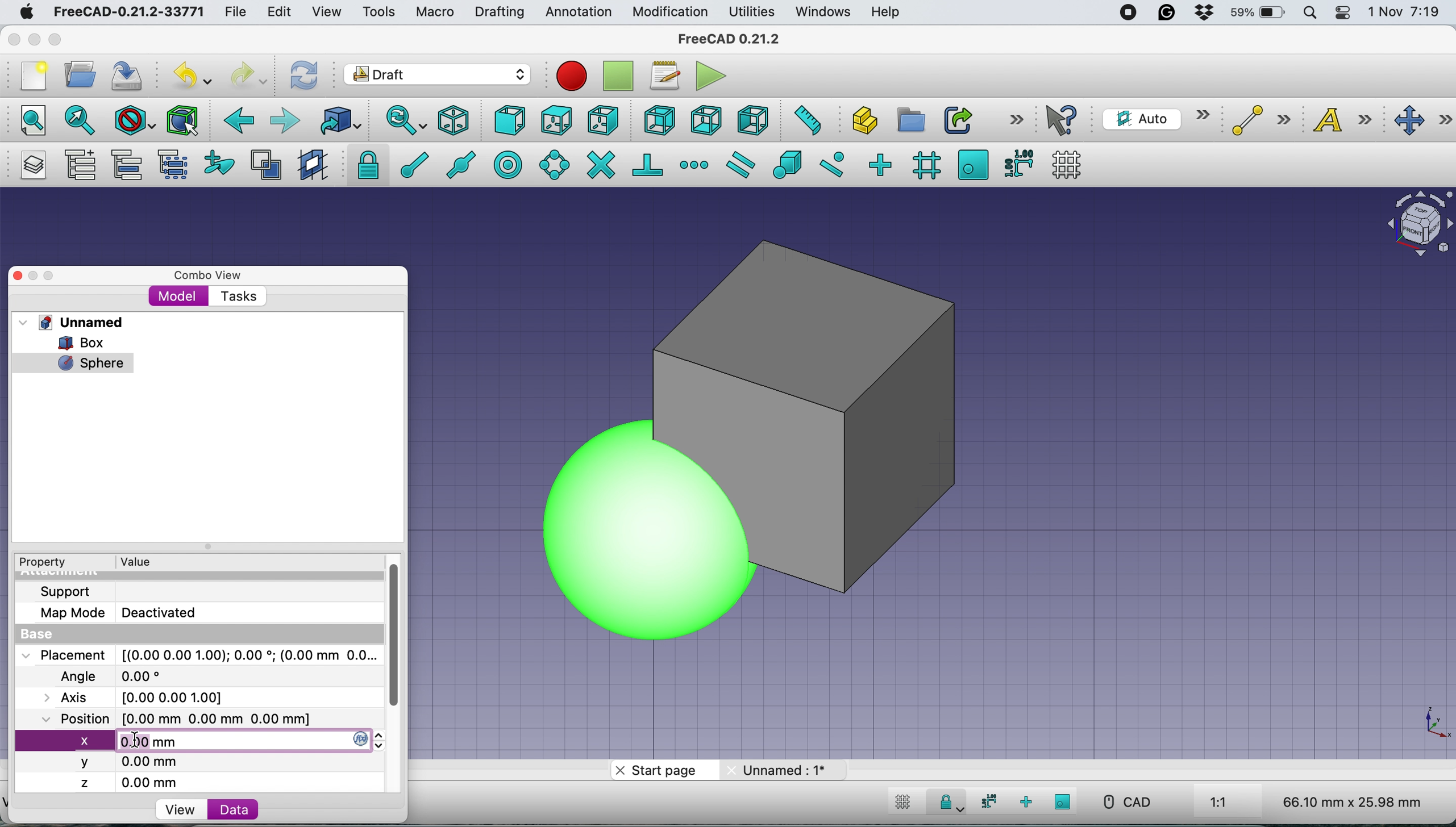 This screenshot has height=827, width=1456. I want to click on front, so click(511, 123).